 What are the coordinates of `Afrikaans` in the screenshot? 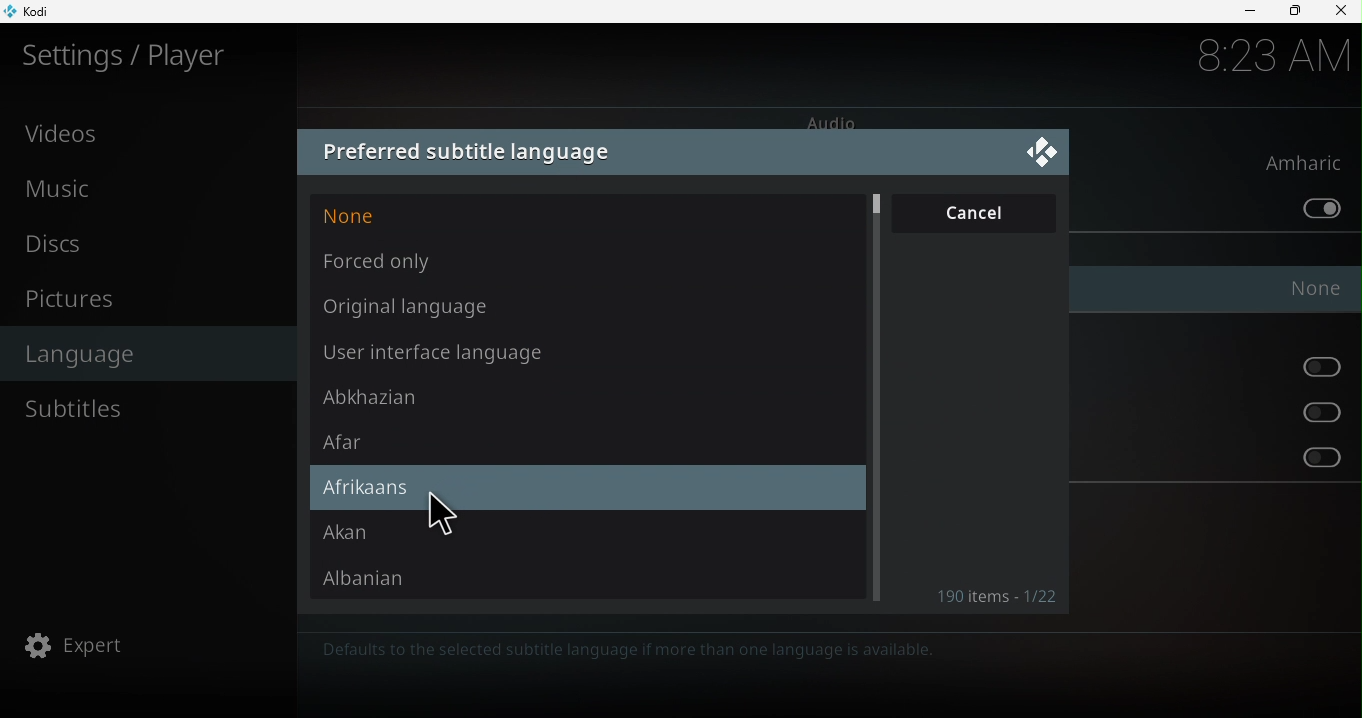 It's located at (582, 487).